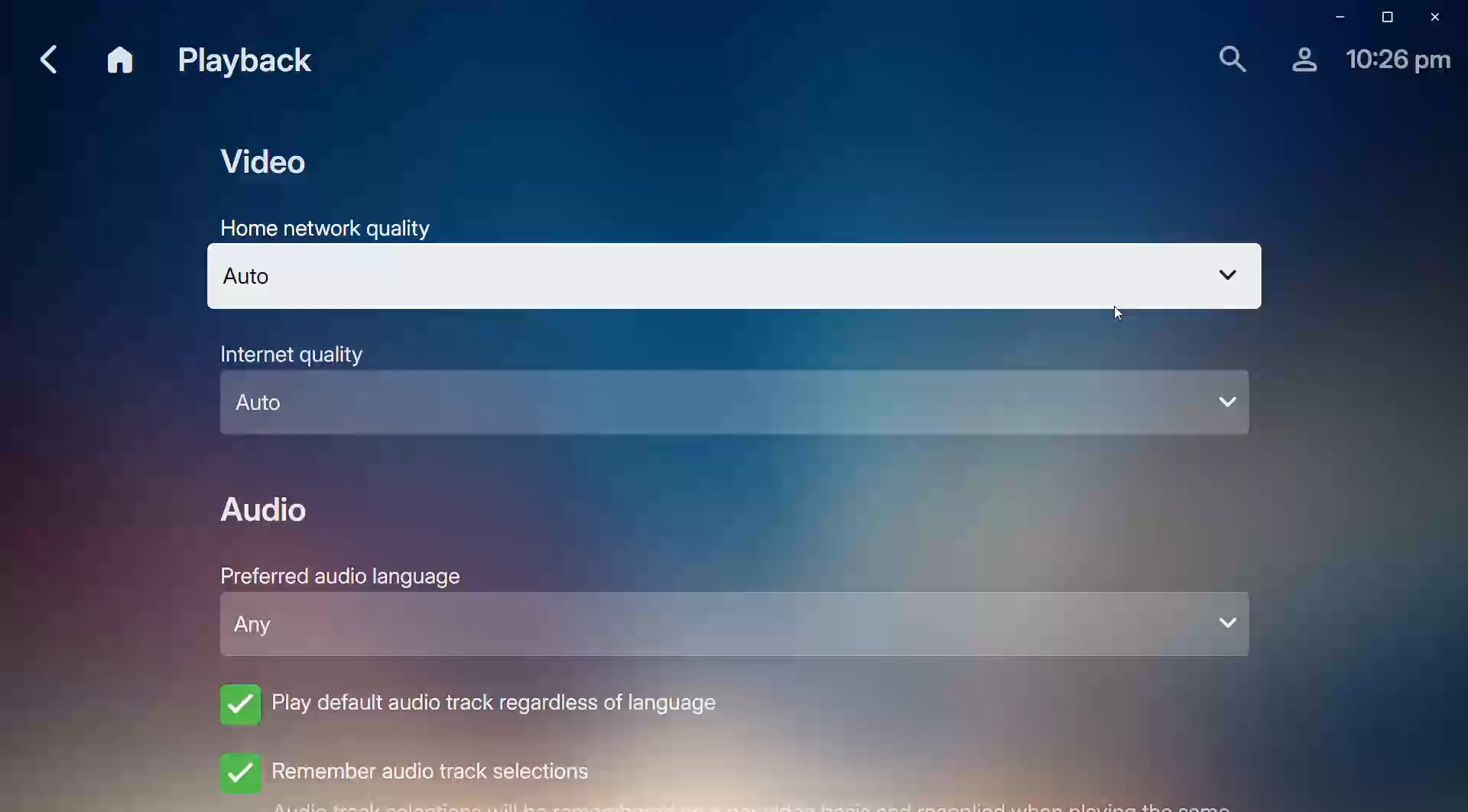 This screenshot has width=1468, height=812. Describe the element at coordinates (249, 65) in the screenshot. I see `Playback` at that location.